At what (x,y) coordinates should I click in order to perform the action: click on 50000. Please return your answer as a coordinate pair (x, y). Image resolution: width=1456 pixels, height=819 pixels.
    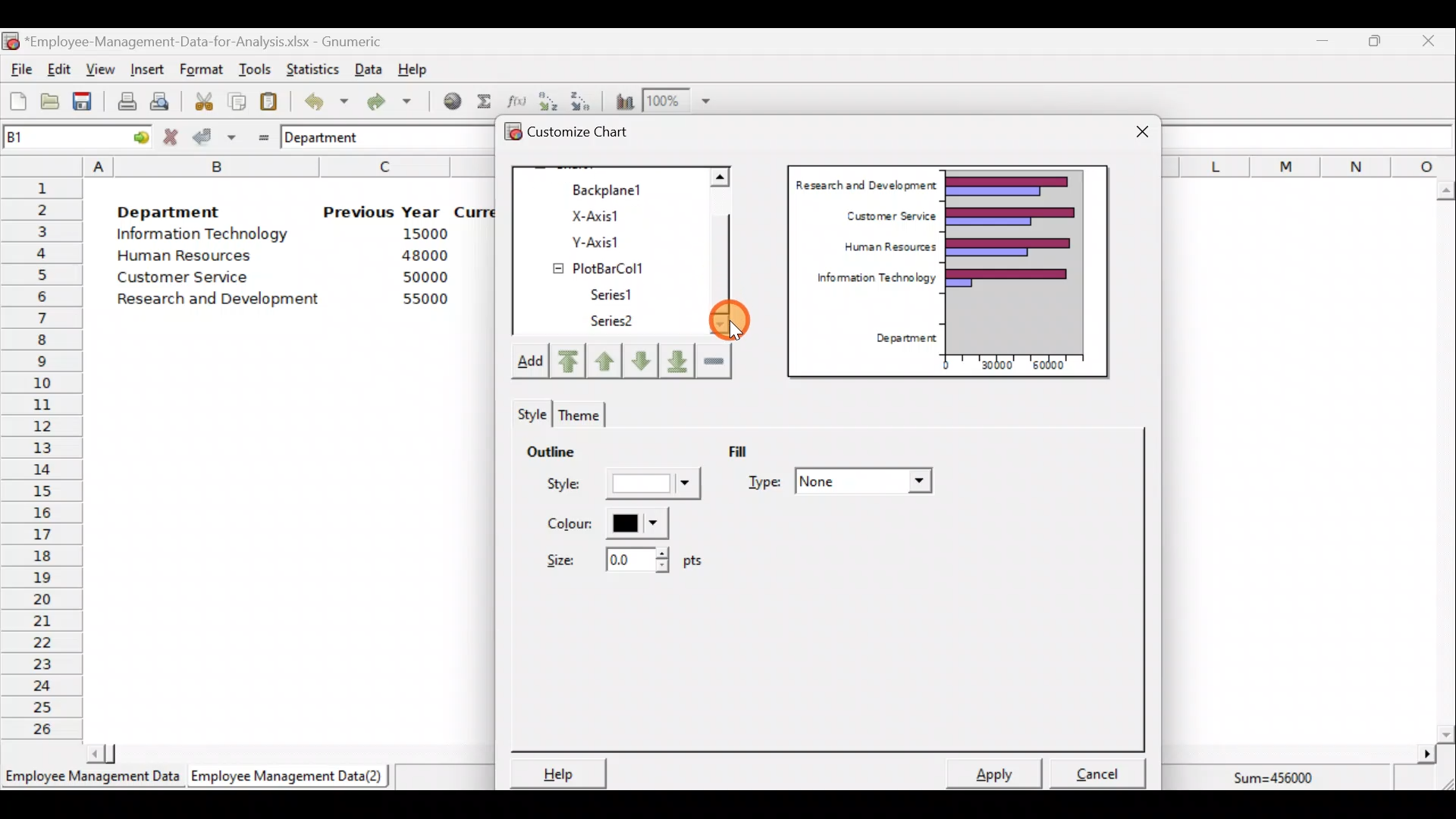
    Looking at the image, I should click on (429, 277).